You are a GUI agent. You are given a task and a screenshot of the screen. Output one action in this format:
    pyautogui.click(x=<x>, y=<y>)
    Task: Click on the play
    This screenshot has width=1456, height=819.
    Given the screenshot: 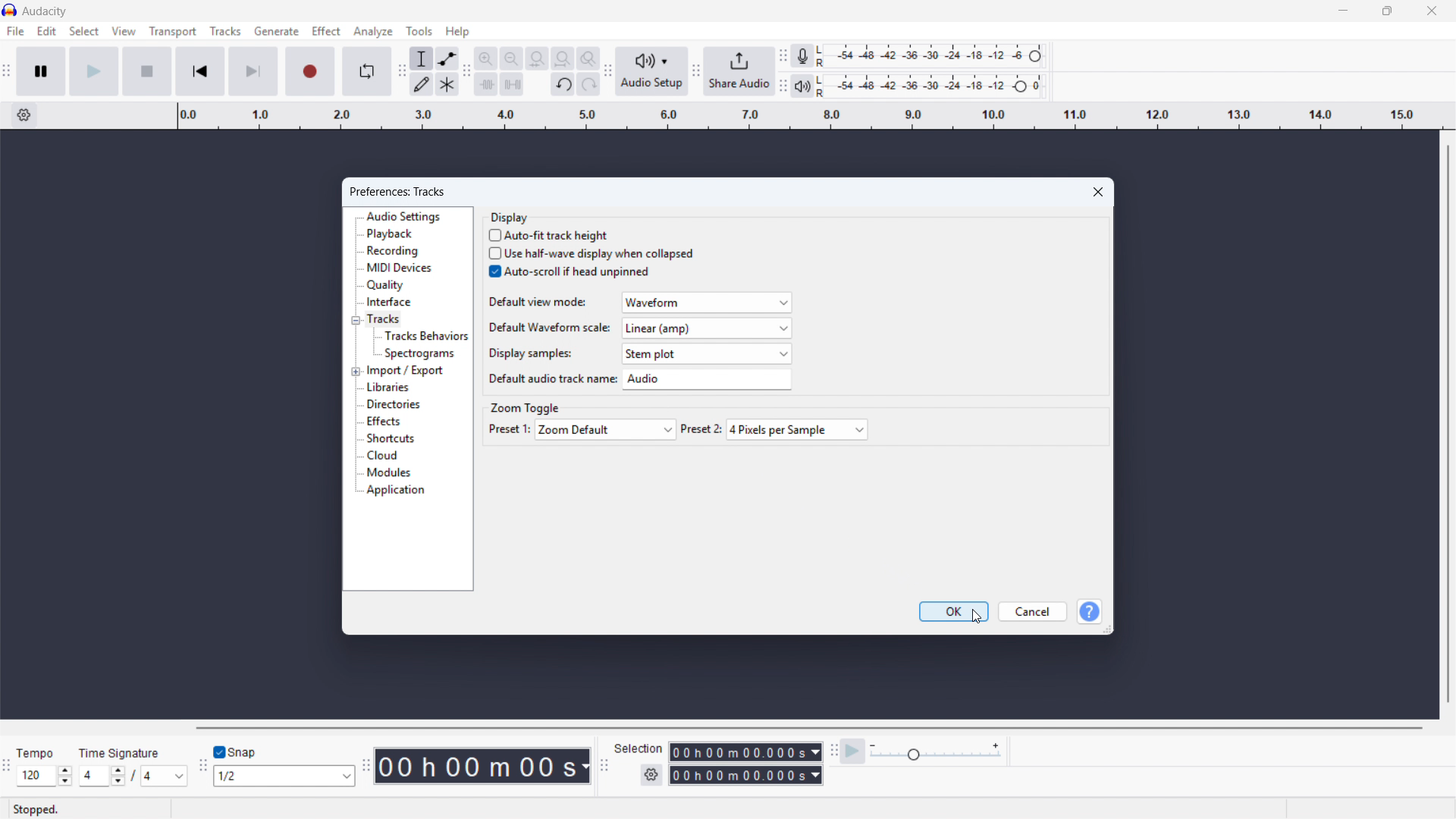 What is the action you would take?
    pyautogui.click(x=94, y=71)
    